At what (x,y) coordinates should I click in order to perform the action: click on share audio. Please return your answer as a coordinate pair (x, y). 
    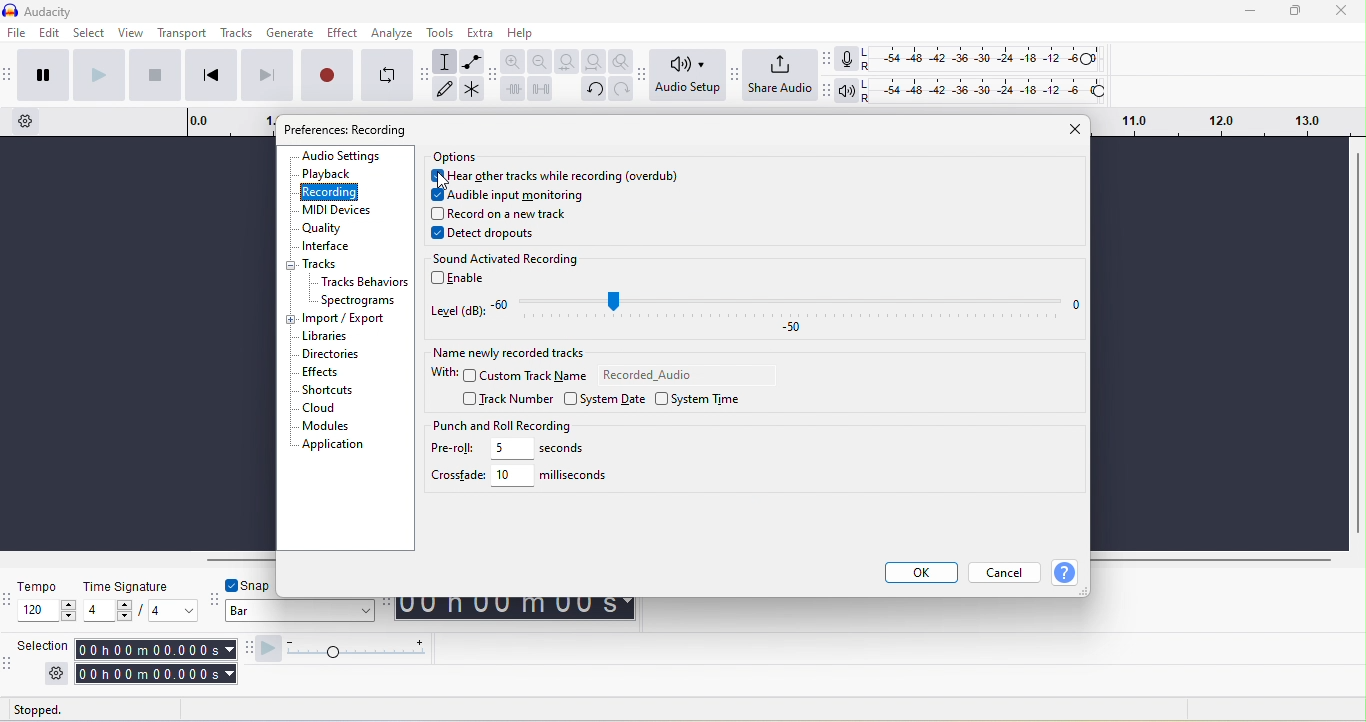
    Looking at the image, I should click on (780, 76).